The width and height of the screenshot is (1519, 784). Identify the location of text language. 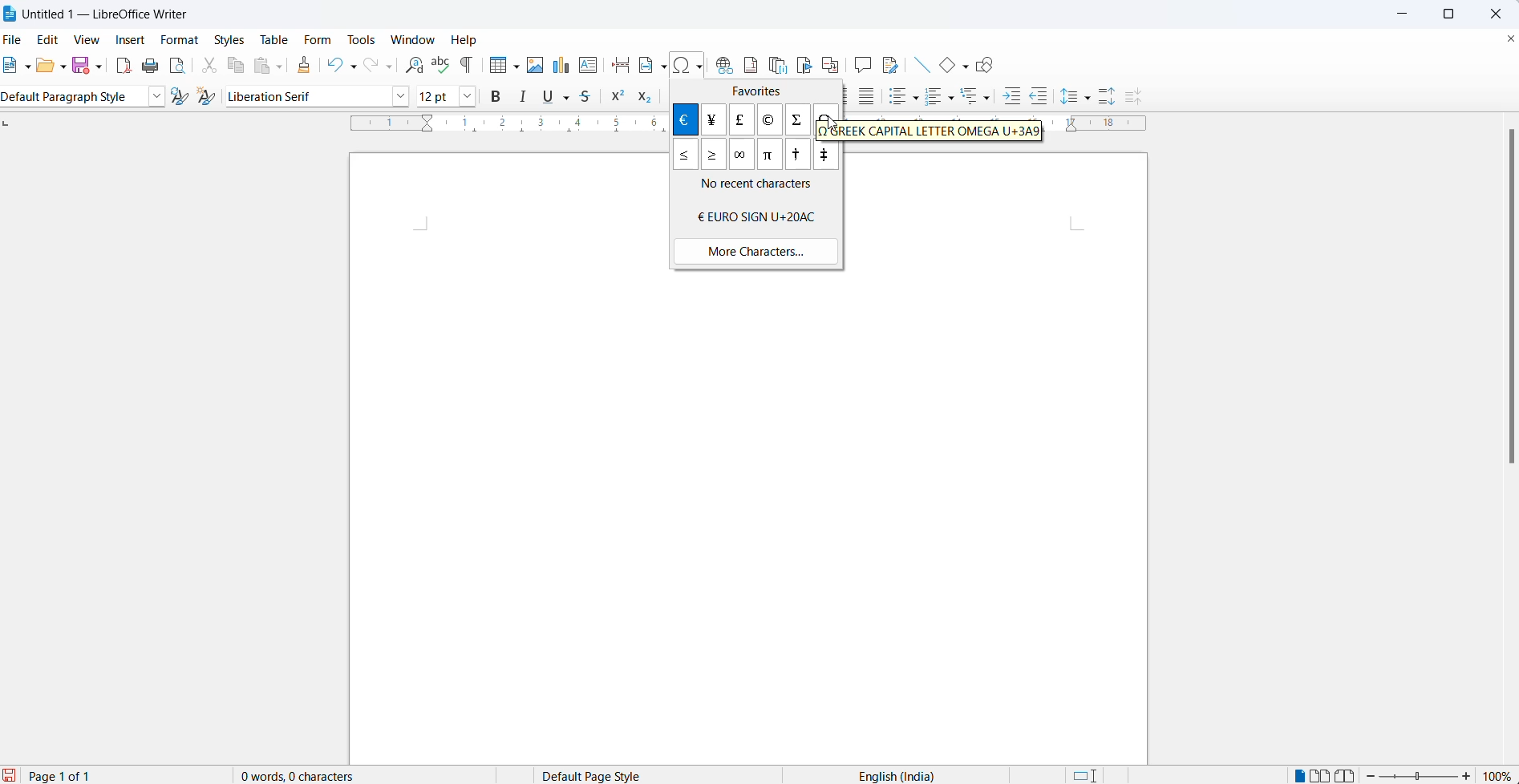
(886, 776).